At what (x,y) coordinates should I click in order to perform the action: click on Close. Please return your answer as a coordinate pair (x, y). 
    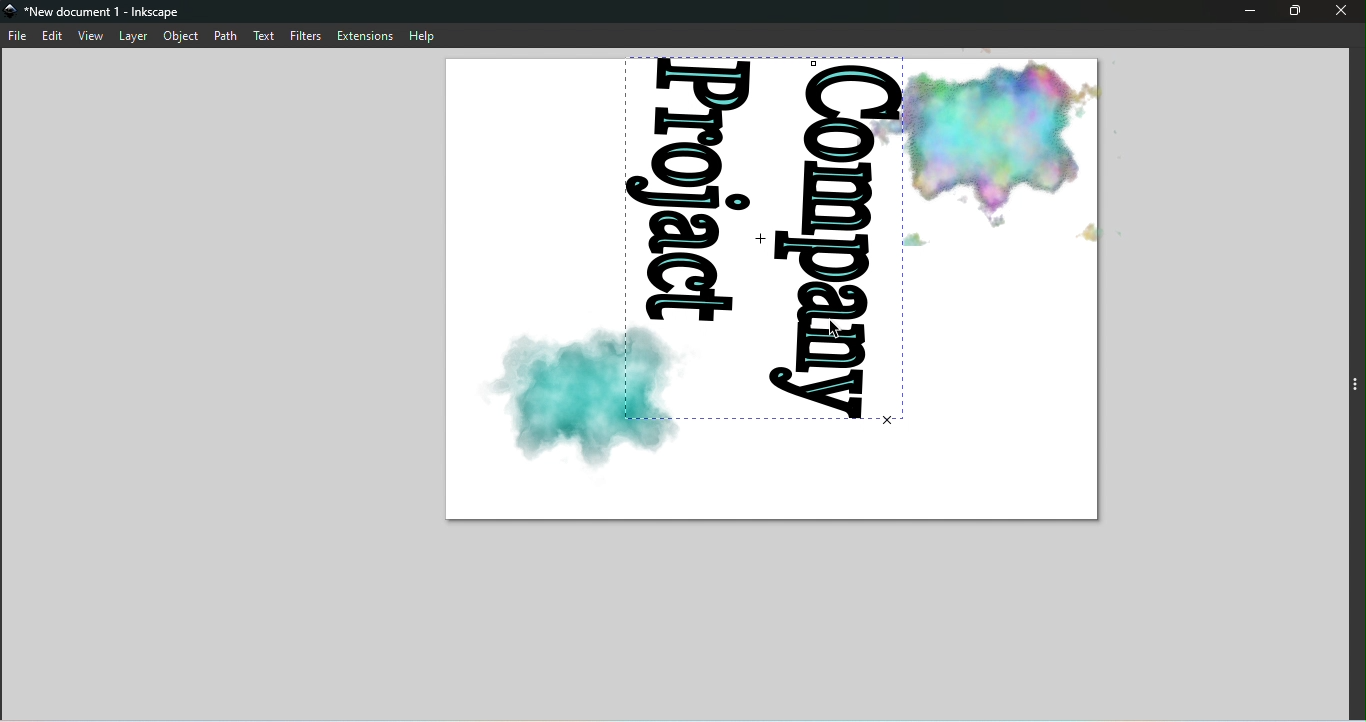
    Looking at the image, I should click on (1345, 13).